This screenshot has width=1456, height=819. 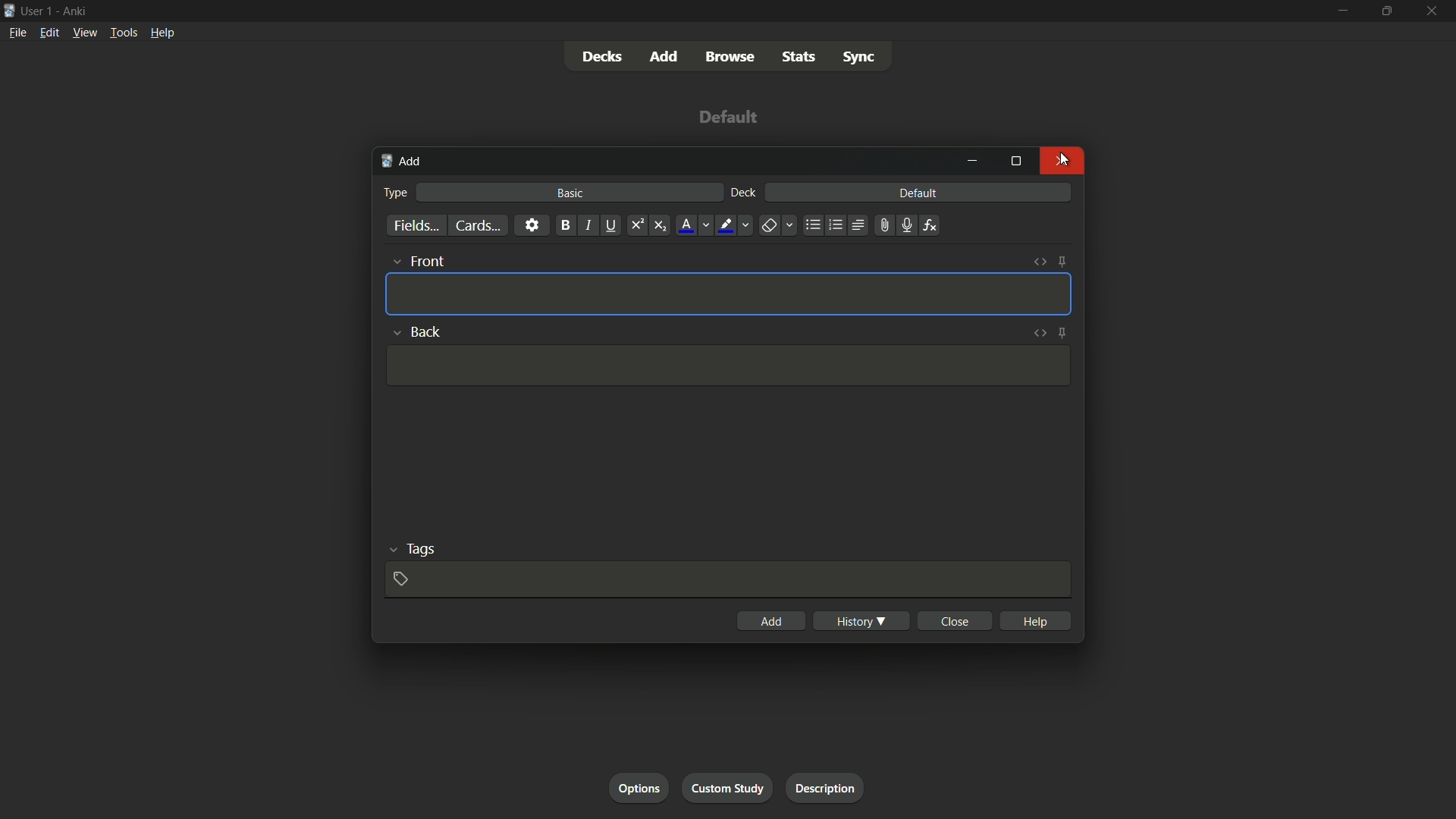 I want to click on custom study, so click(x=730, y=786).